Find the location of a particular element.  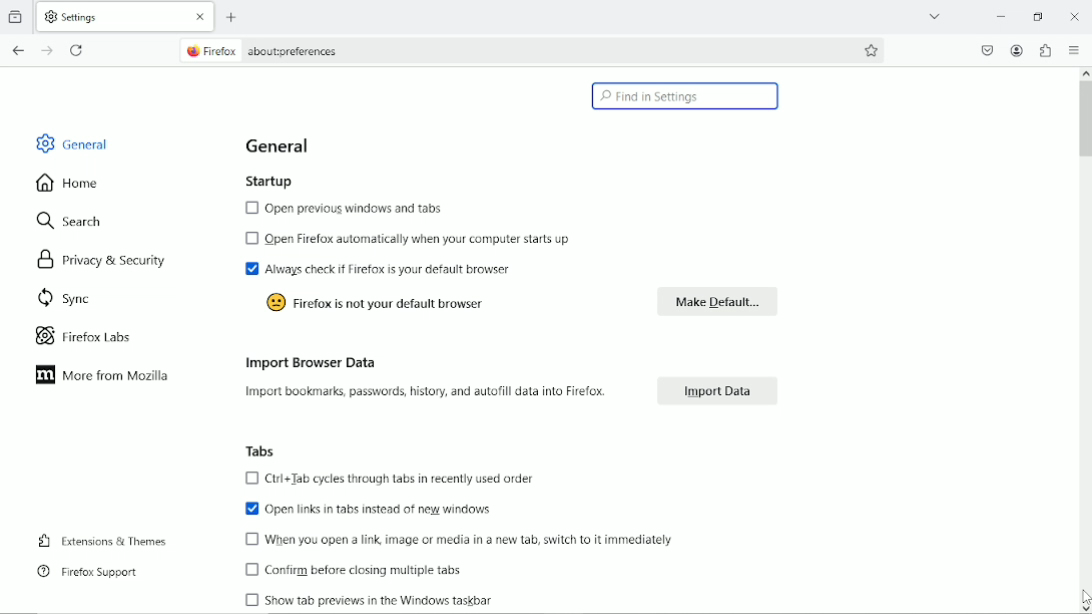

Find in Settings is located at coordinates (685, 96).